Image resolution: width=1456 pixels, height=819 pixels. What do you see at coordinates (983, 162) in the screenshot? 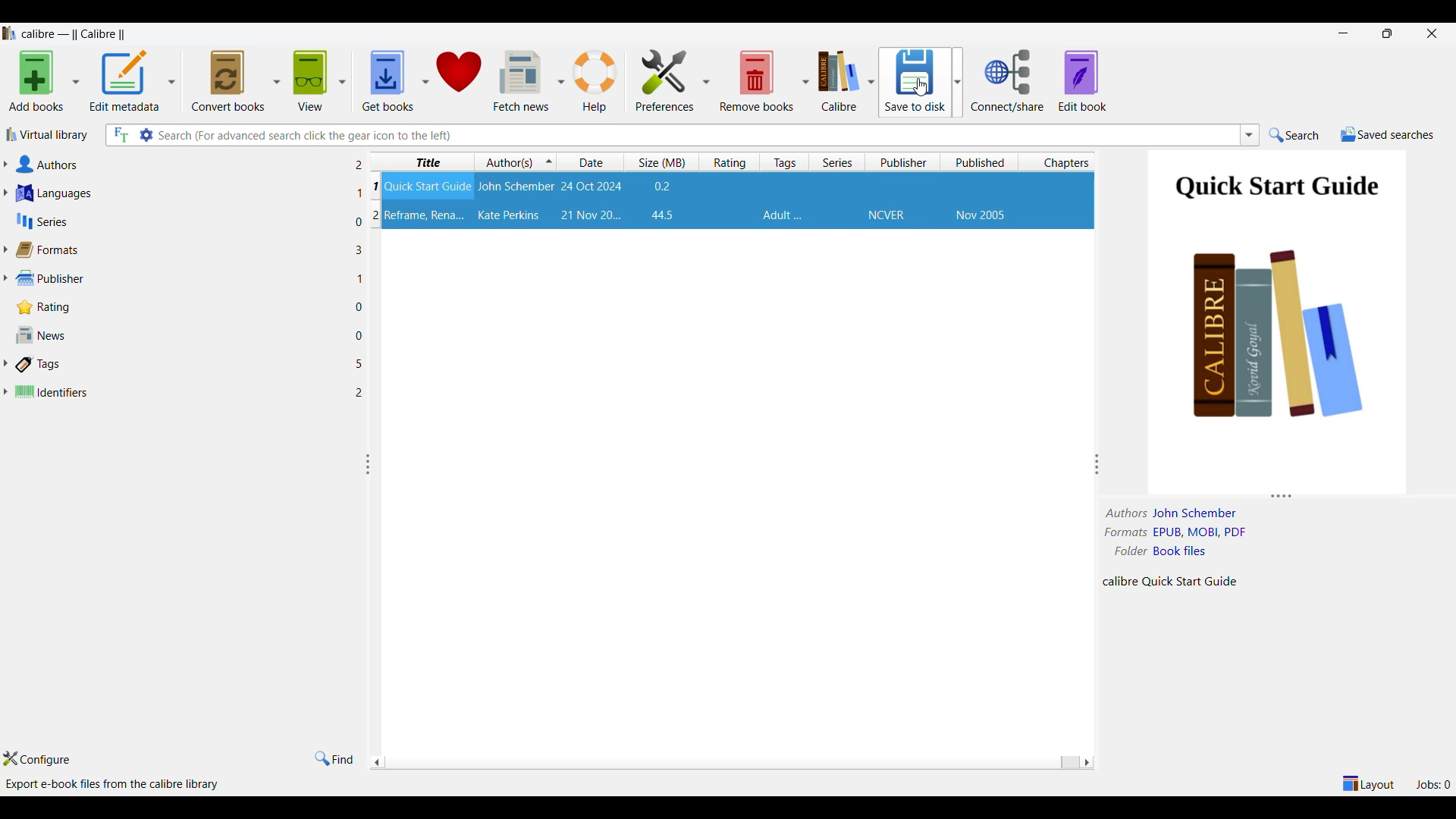
I see `Published column` at bounding box center [983, 162].